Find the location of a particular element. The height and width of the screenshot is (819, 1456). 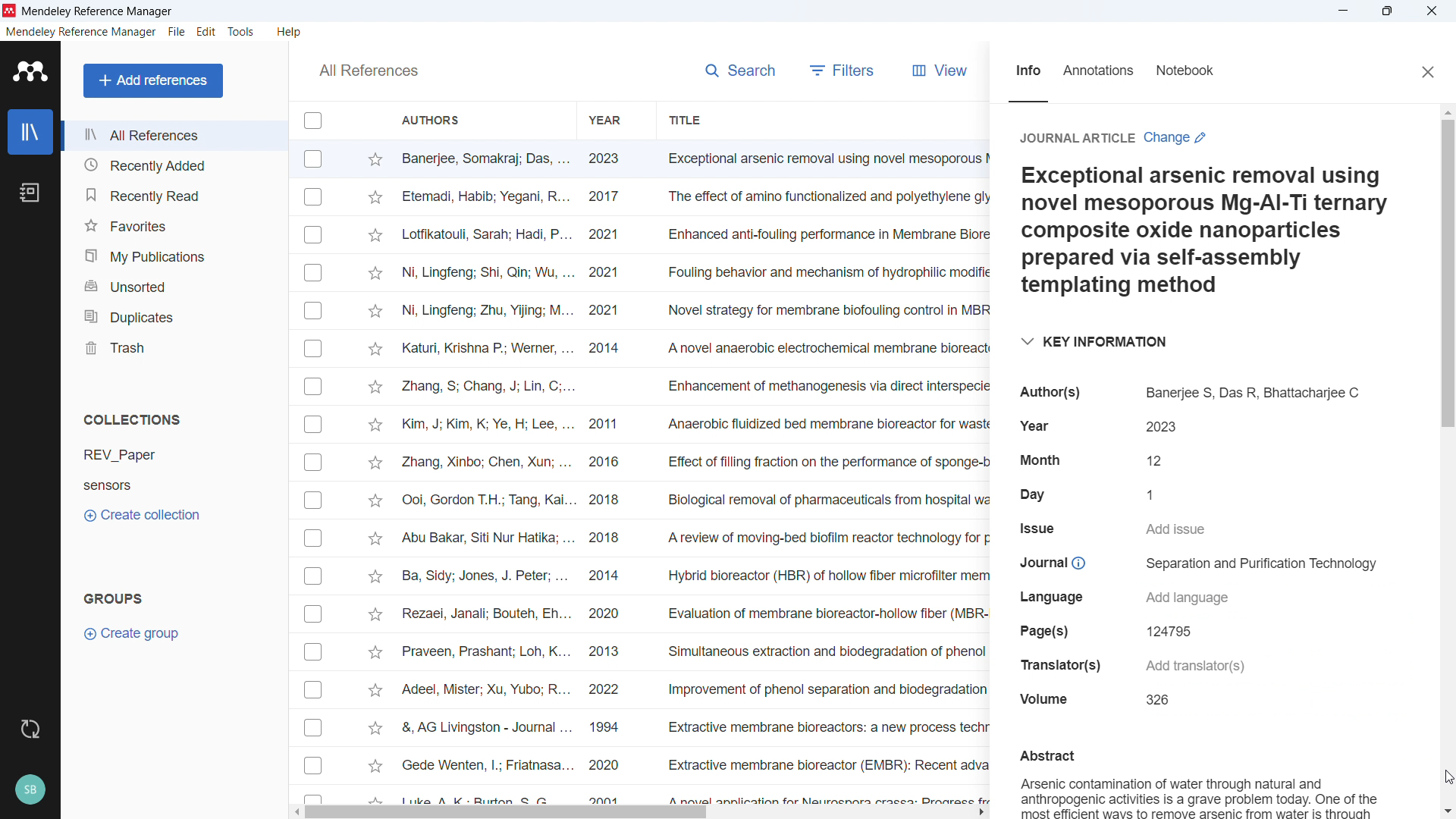

2013 is located at coordinates (615, 649).